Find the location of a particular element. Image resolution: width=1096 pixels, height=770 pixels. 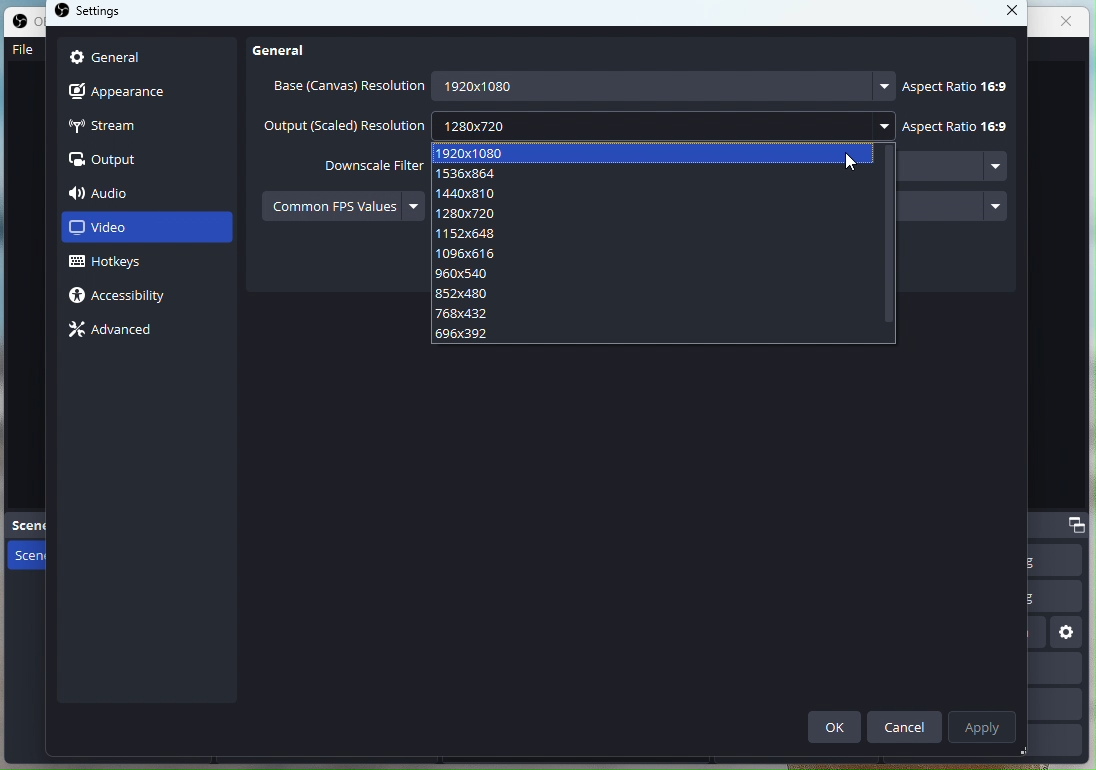

Ok is located at coordinates (834, 728).